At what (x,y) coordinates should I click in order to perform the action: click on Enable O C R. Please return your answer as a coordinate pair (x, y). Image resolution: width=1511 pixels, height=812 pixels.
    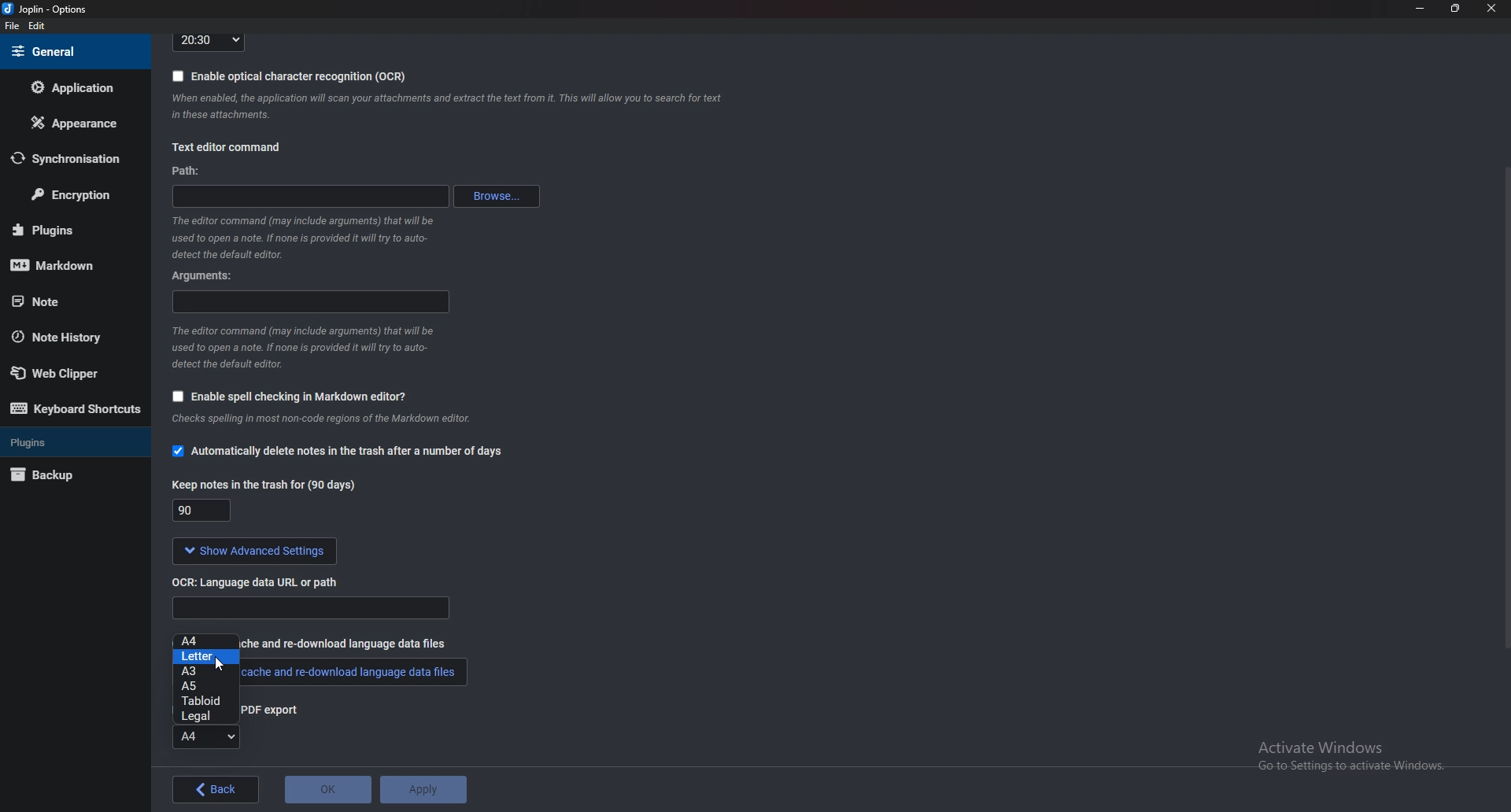
    Looking at the image, I should click on (290, 76).